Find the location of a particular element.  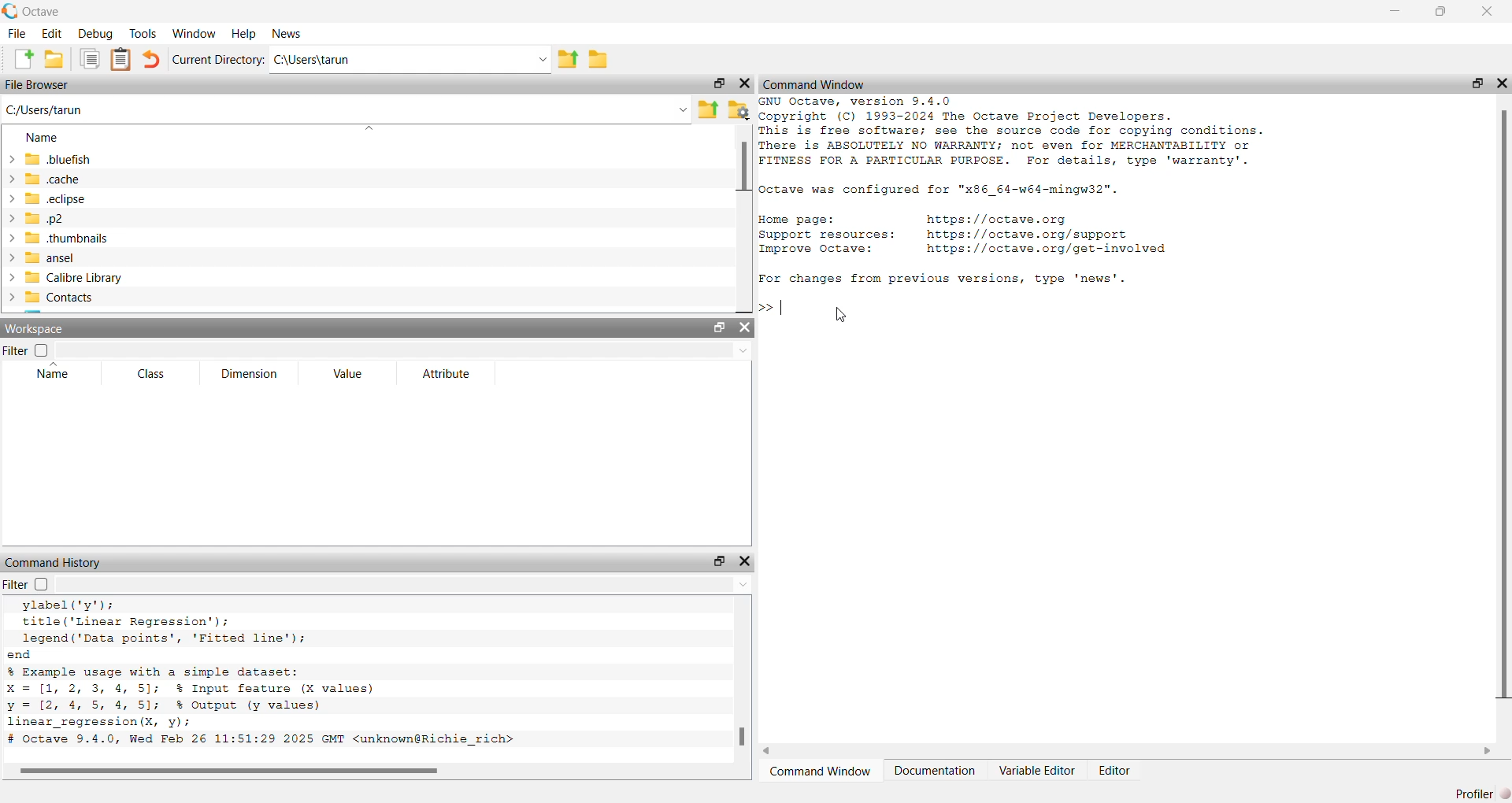

filter input field is located at coordinates (402, 350).